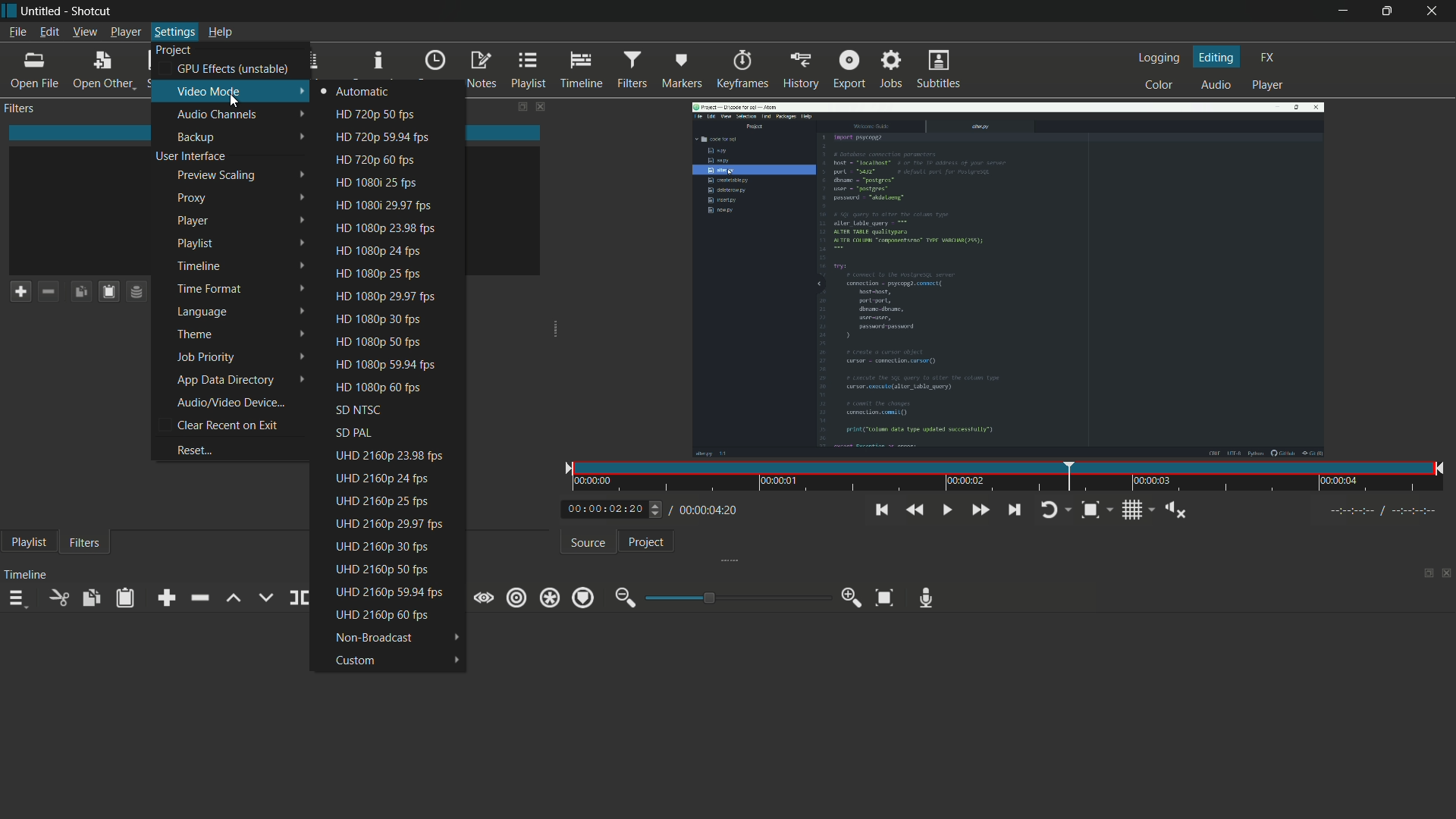  Describe the element at coordinates (632, 70) in the screenshot. I see `filters` at that location.